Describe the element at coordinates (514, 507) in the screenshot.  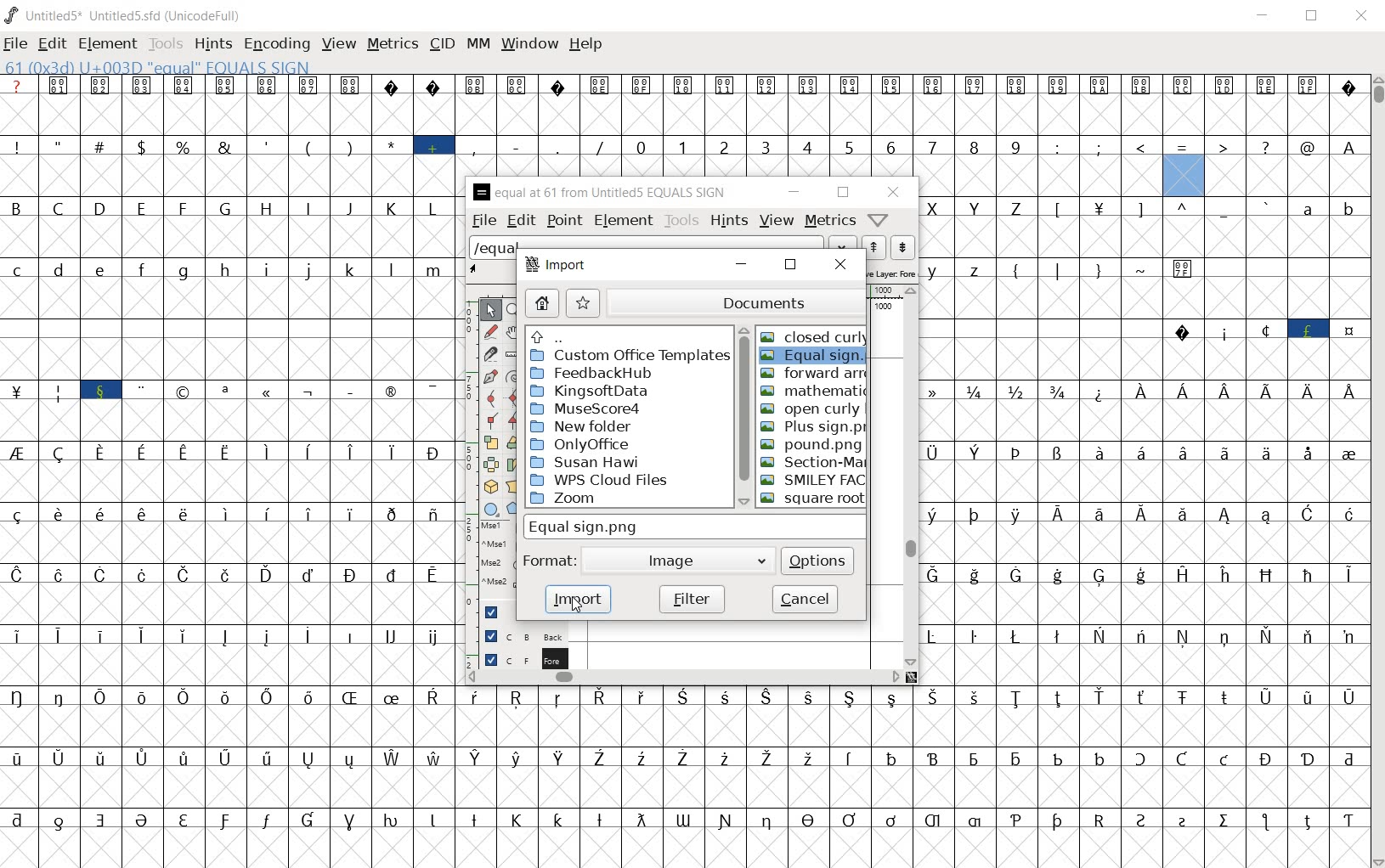
I see `polygon or star` at that location.